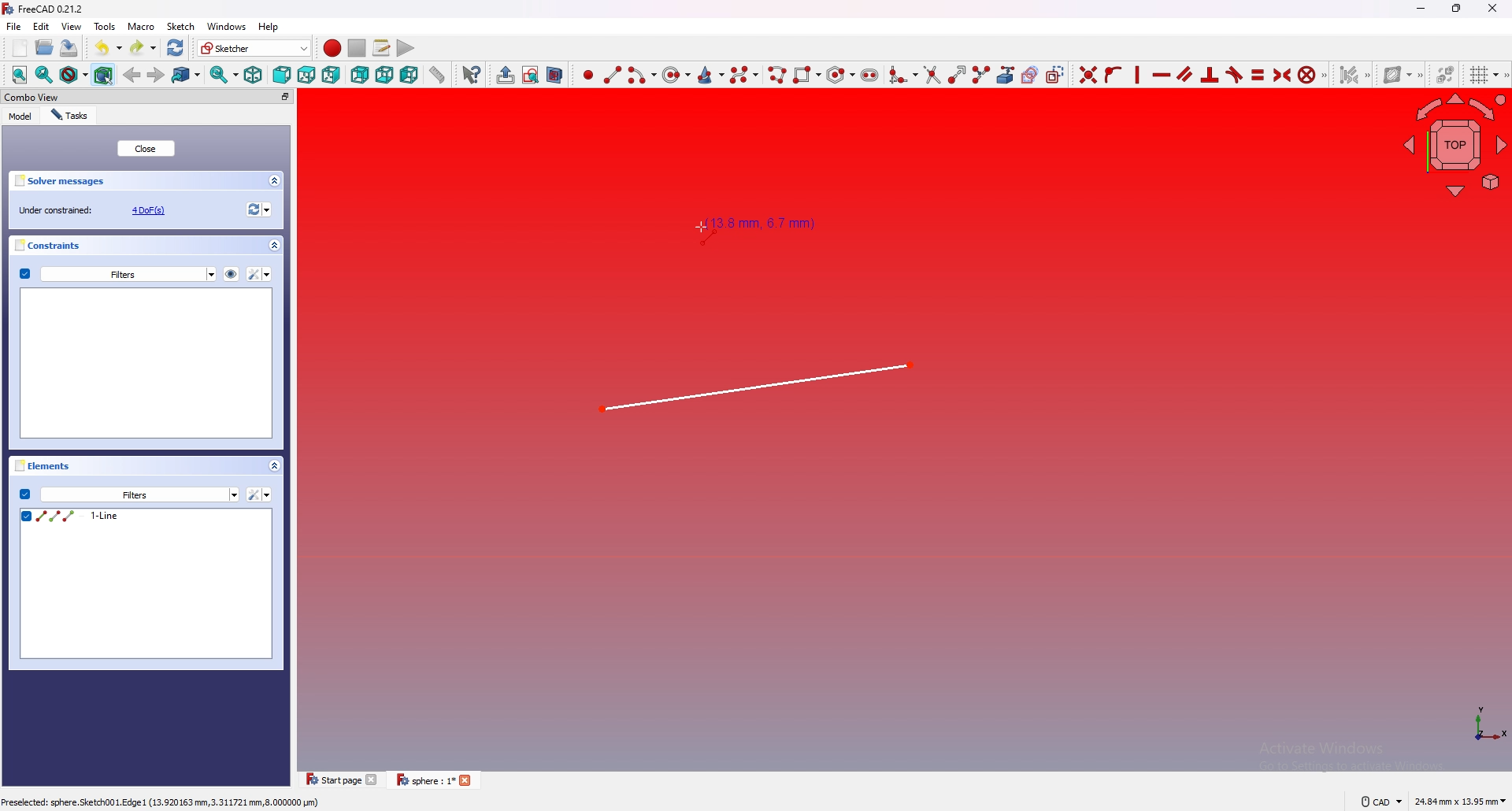 This screenshot has height=811, width=1512. What do you see at coordinates (97, 209) in the screenshot?
I see `Under constrained` at bounding box center [97, 209].